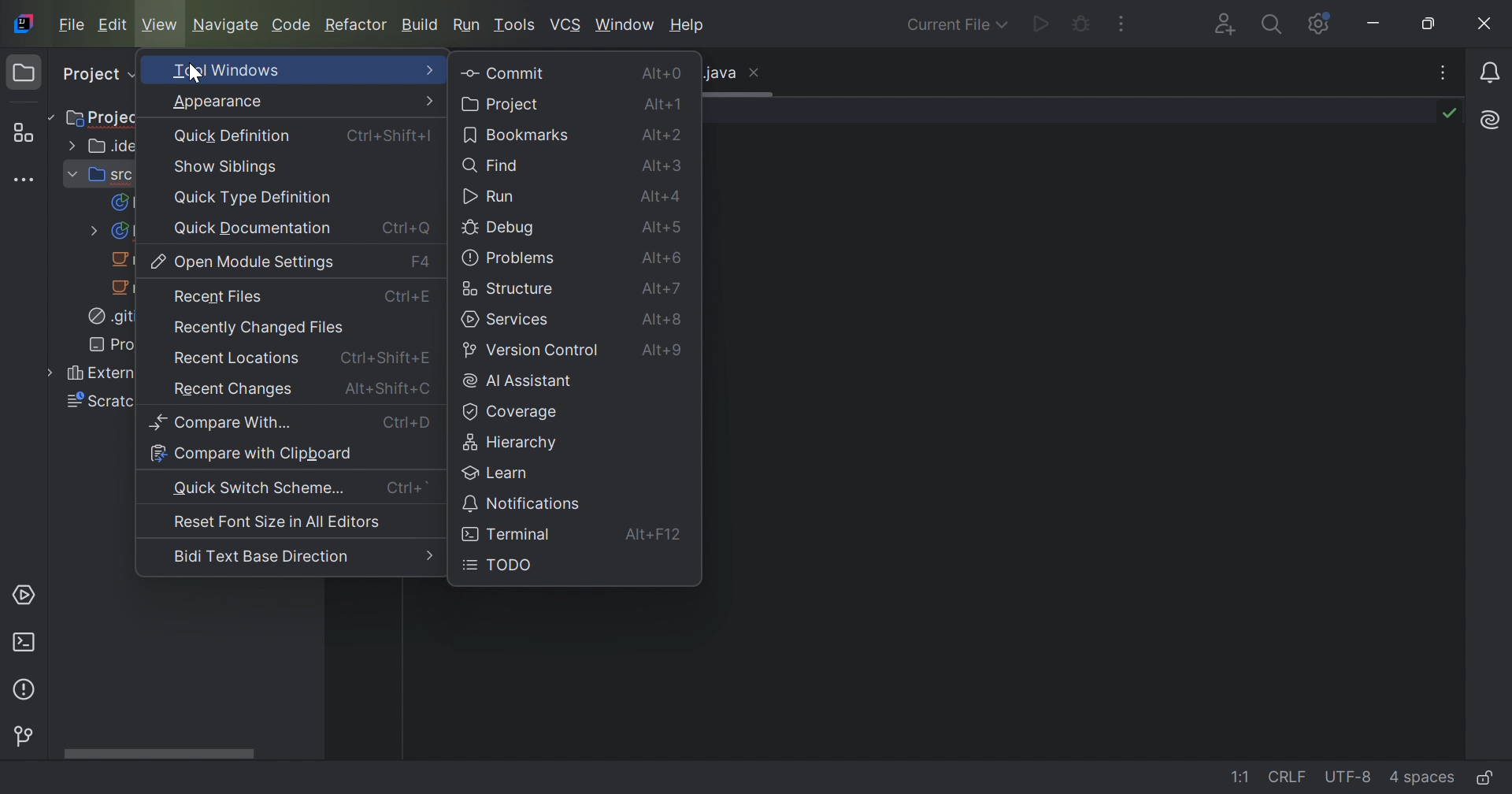  What do you see at coordinates (260, 557) in the screenshot?
I see `Bidi text base direction` at bounding box center [260, 557].